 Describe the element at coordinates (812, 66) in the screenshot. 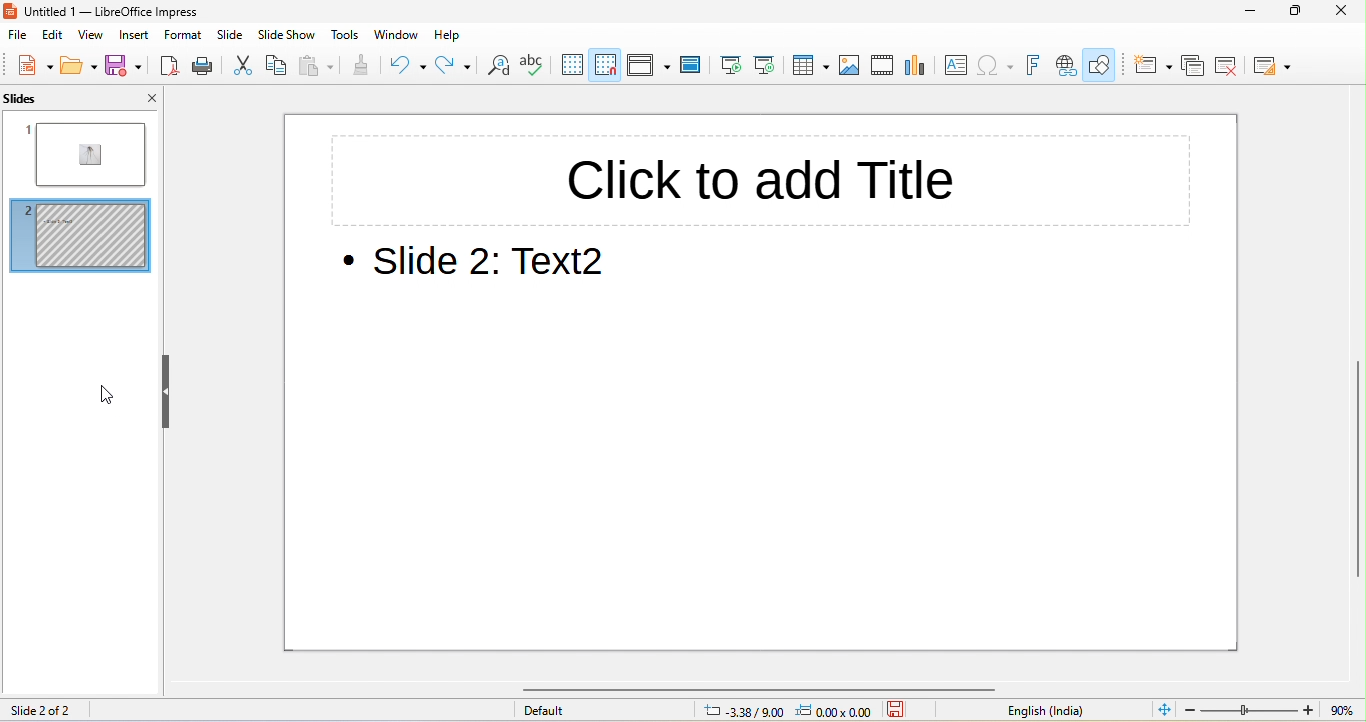

I see `table` at that location.